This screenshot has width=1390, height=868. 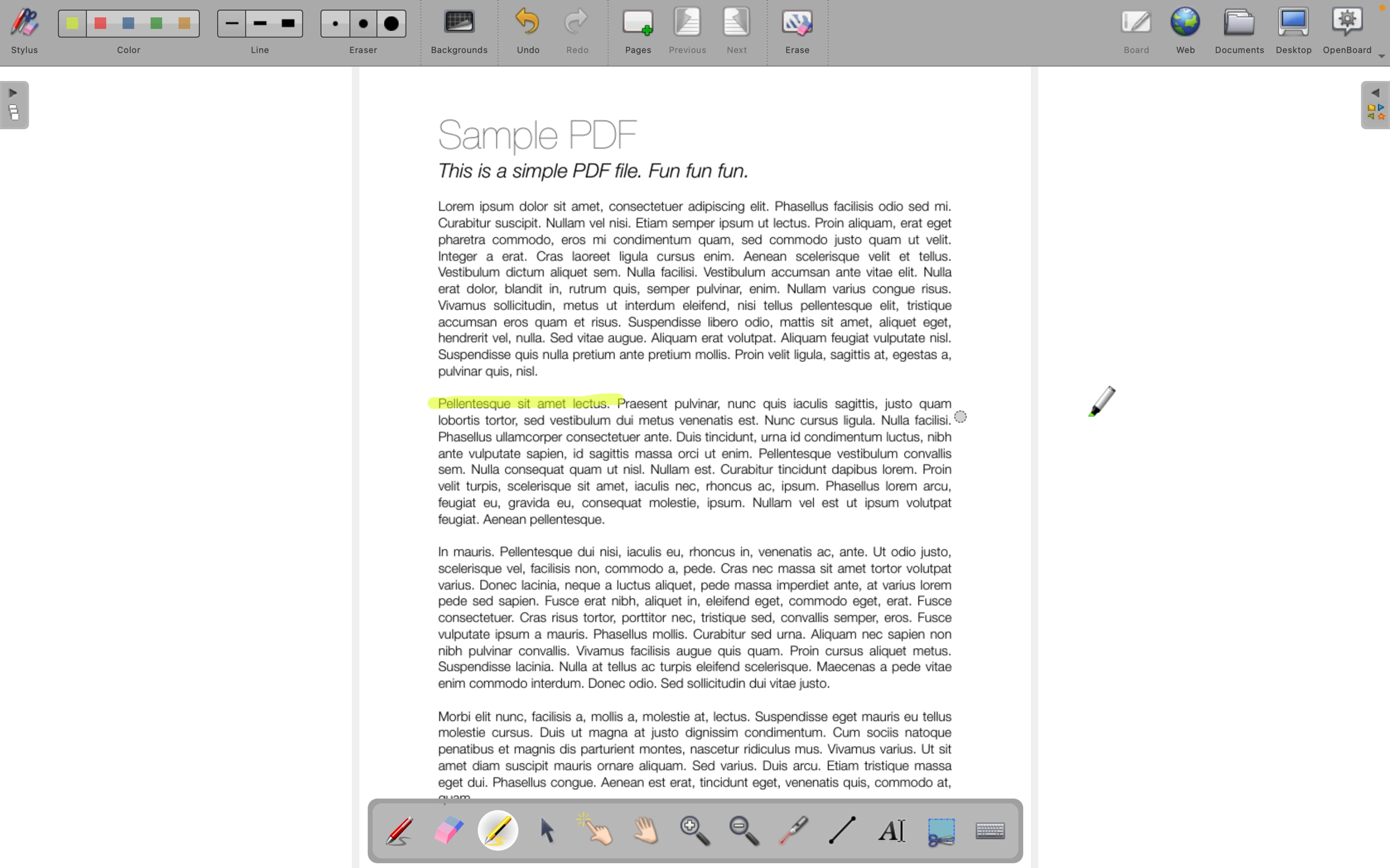 I want to click on desktop, so click(x=1295, y=30).